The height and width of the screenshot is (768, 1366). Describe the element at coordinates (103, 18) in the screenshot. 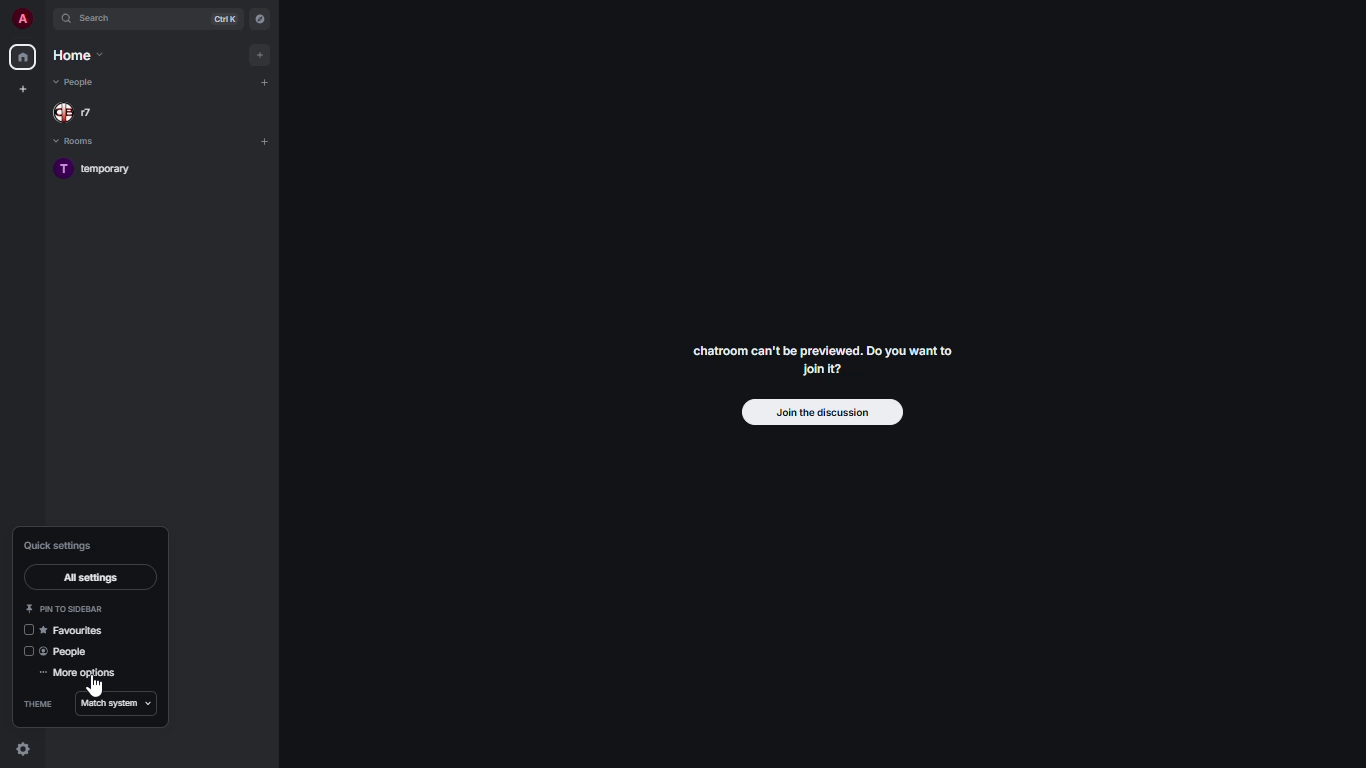

I see `search` at that location.